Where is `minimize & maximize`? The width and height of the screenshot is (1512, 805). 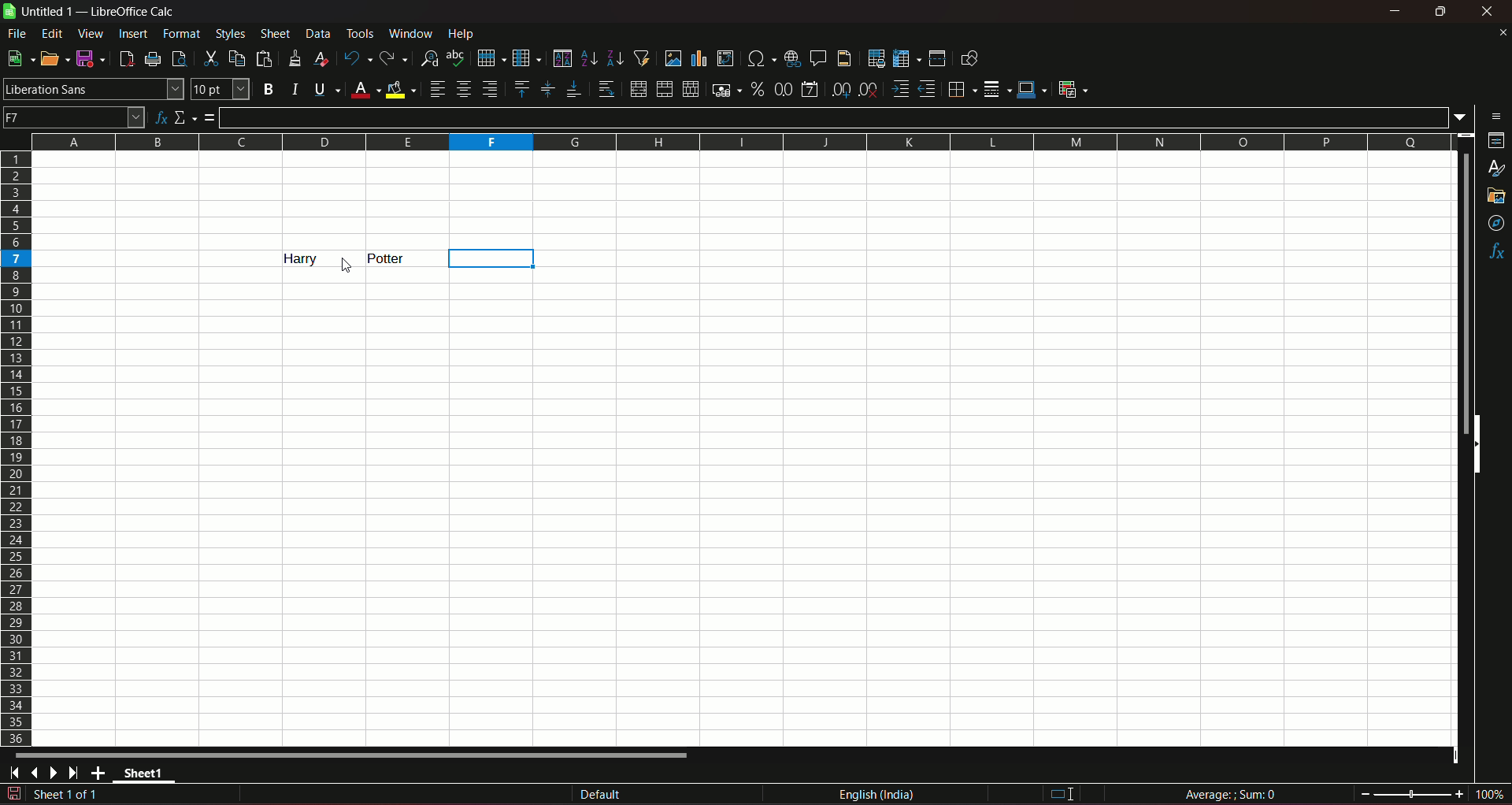
minimize & maximize is located at coordinates (1440, 12).